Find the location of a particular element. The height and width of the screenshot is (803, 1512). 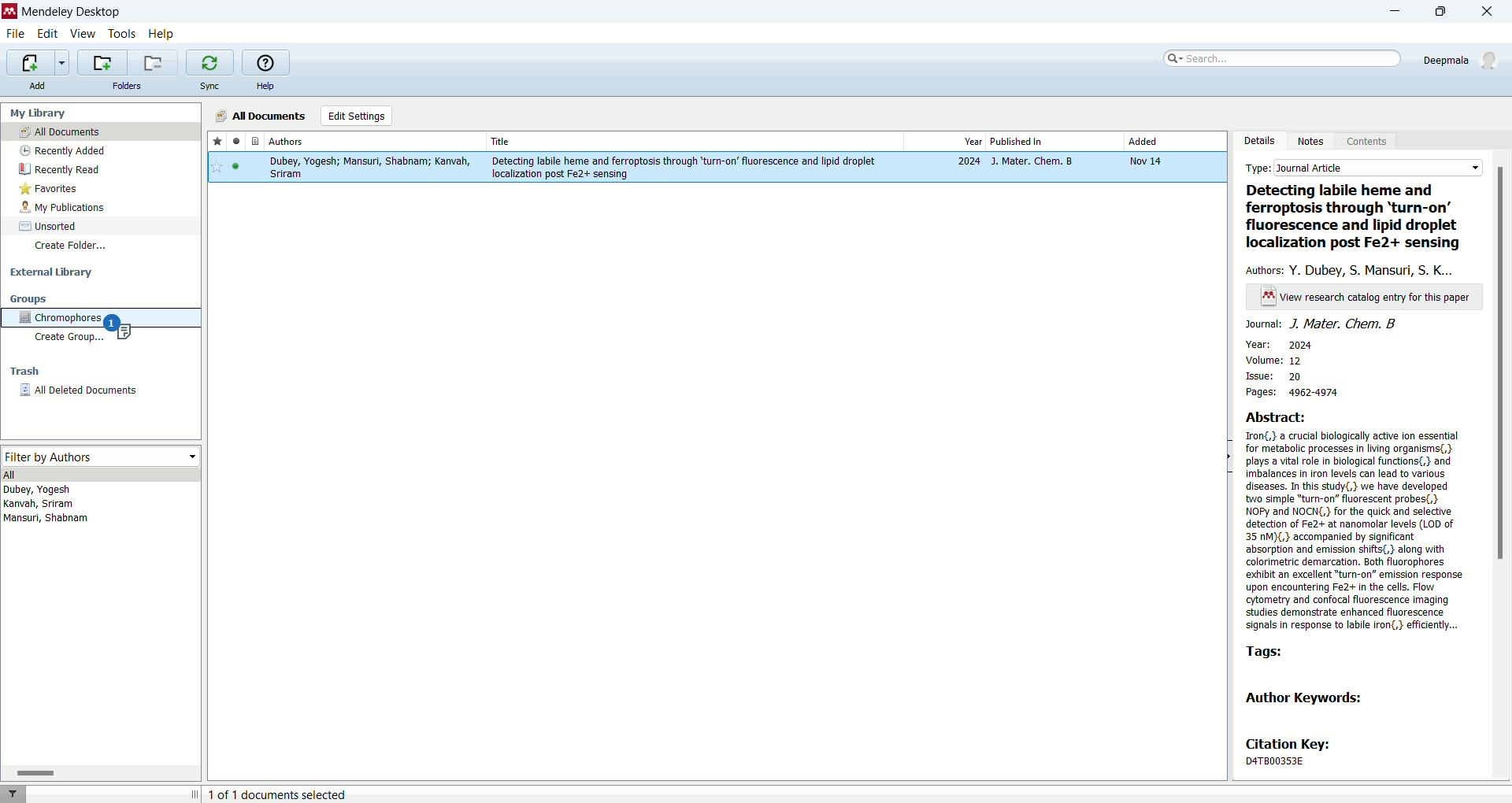

Title is located at coordinates (695, 141).